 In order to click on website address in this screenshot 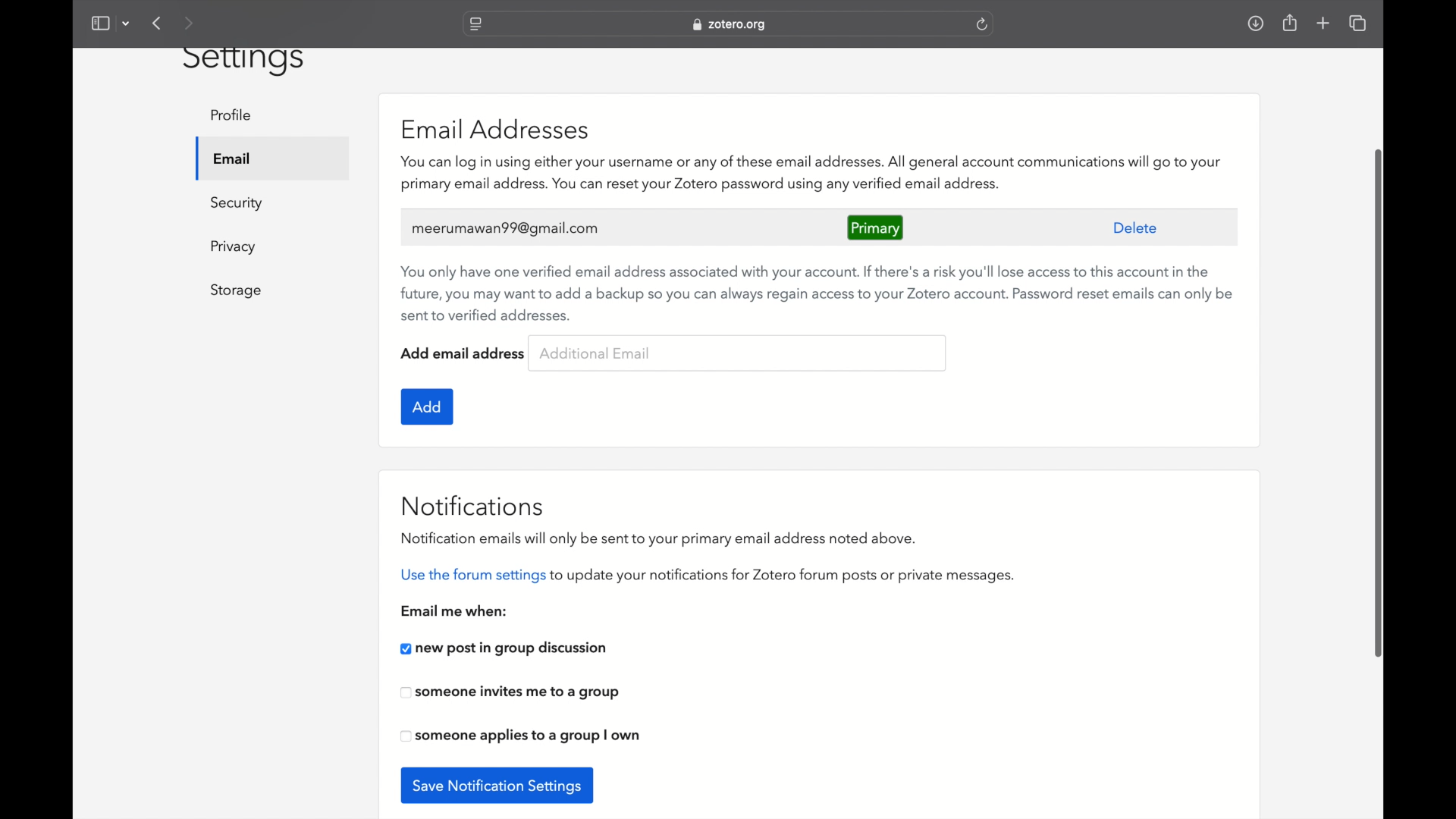, I will do `click(731, 25)`.